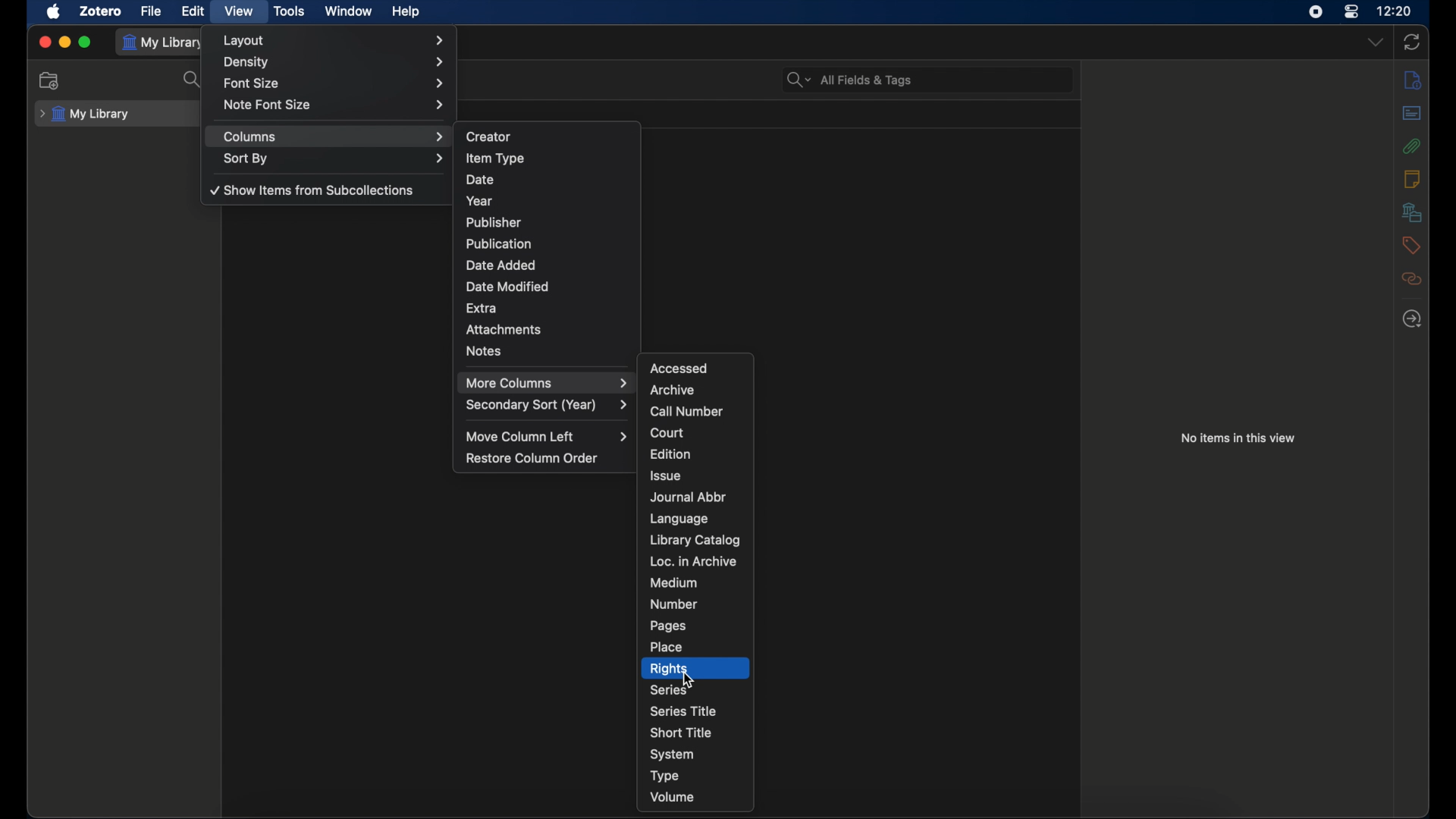 The width and height of the screenshot is (1456, 819). What do you see at coordinates (673, 798) in the screenshot?
I see `volume` at bounding box center [673, 798].